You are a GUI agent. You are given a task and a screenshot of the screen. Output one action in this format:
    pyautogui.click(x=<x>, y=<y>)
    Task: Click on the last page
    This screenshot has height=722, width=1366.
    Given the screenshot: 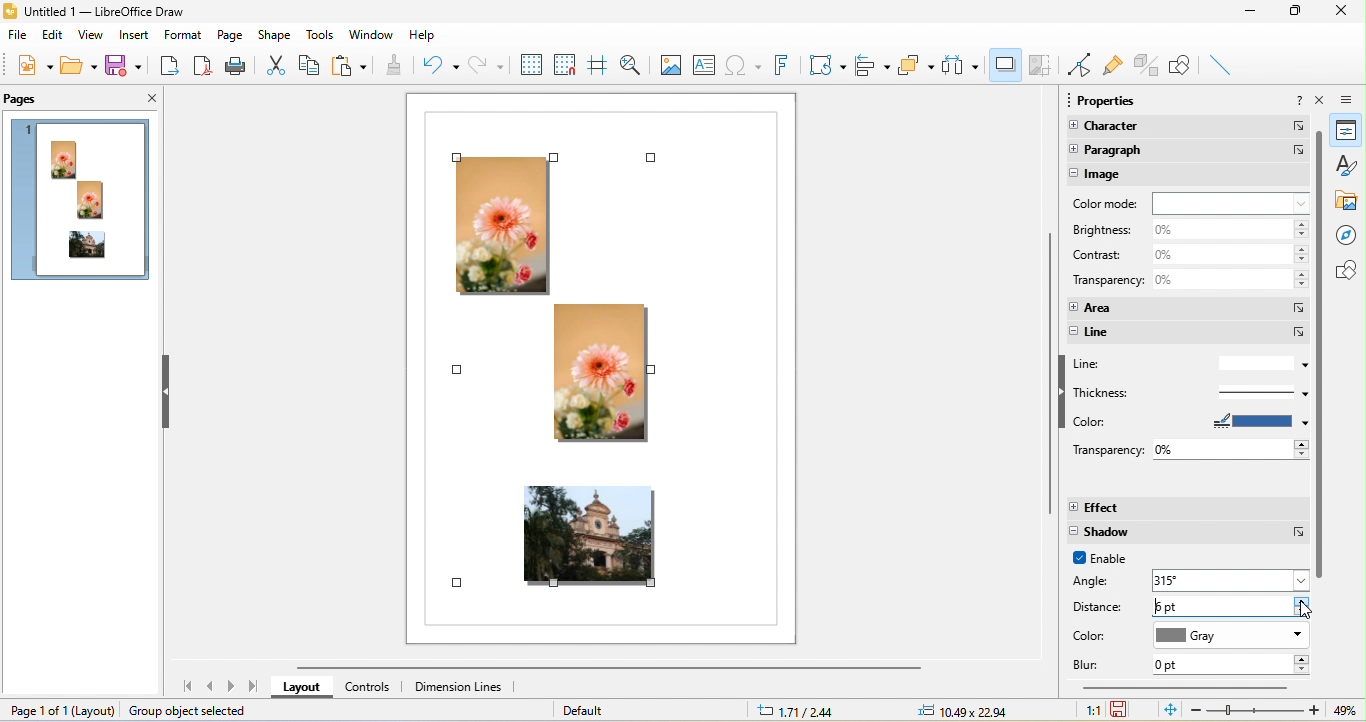 What is the action you would take?
    pyautogui.click(x=254, y=687)
    